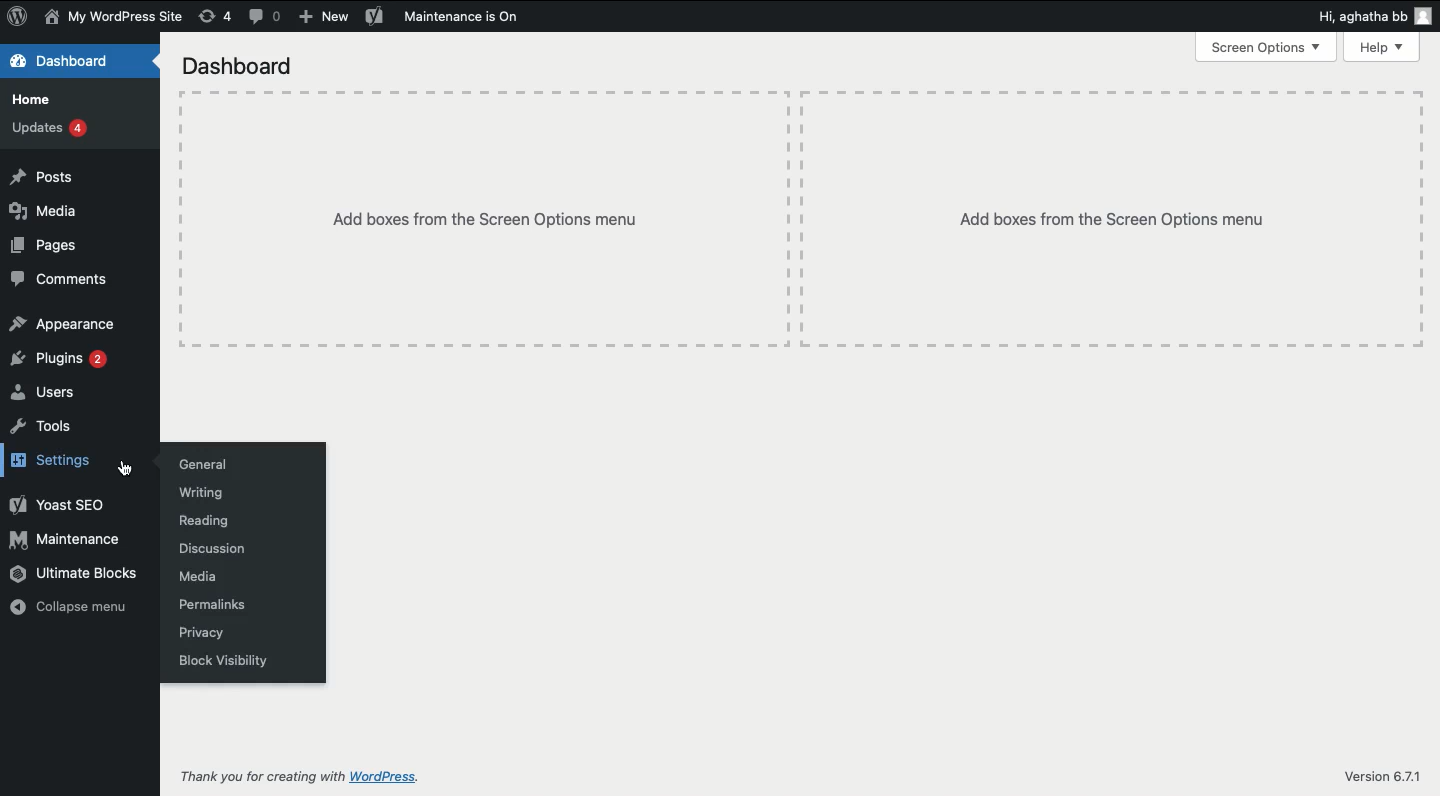  Describe the element at coordinates (115, 18) in the screenshot. I see `my wordpress site` at that location.